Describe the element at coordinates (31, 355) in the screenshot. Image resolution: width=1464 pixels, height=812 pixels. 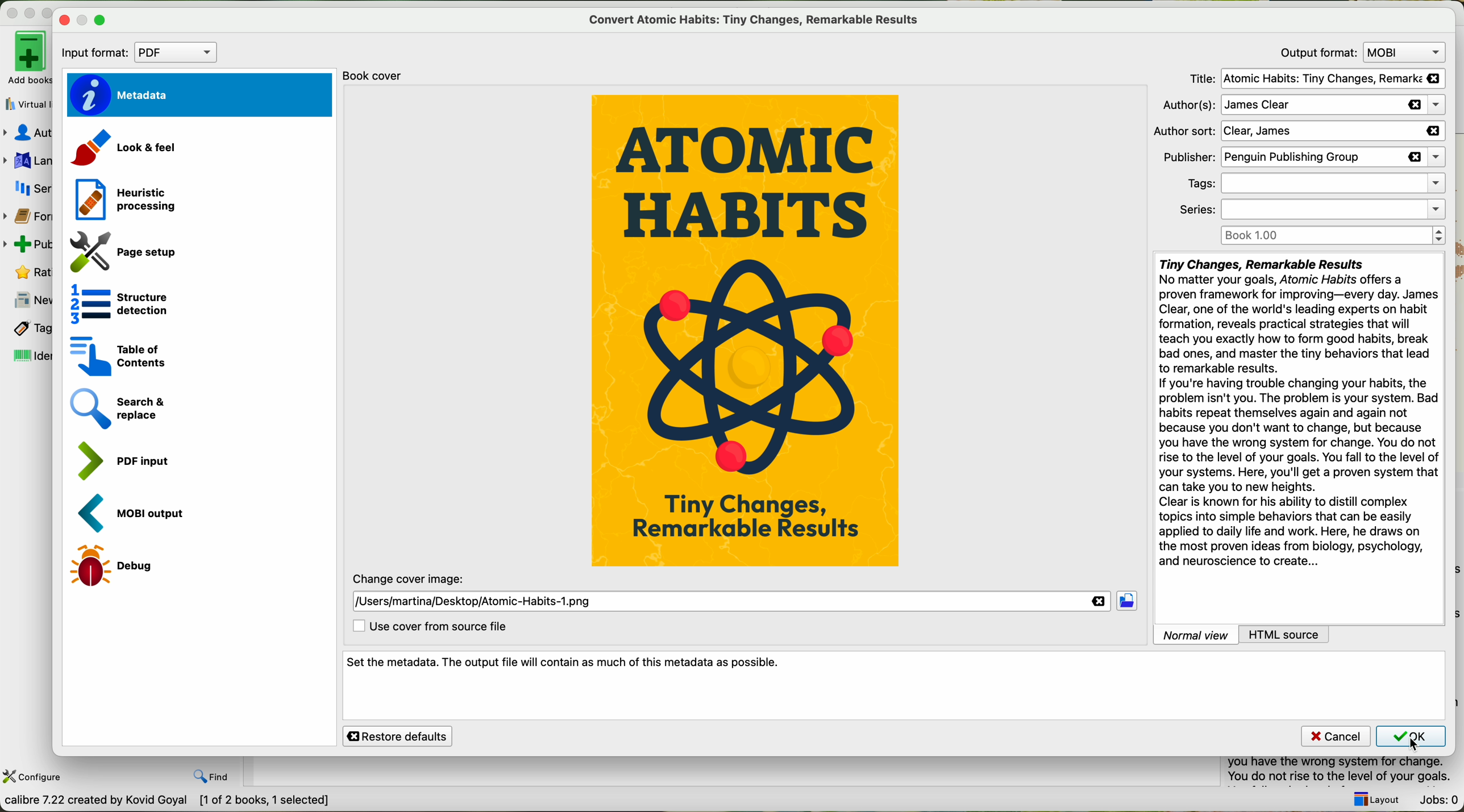
I see `identifiers` at that location.